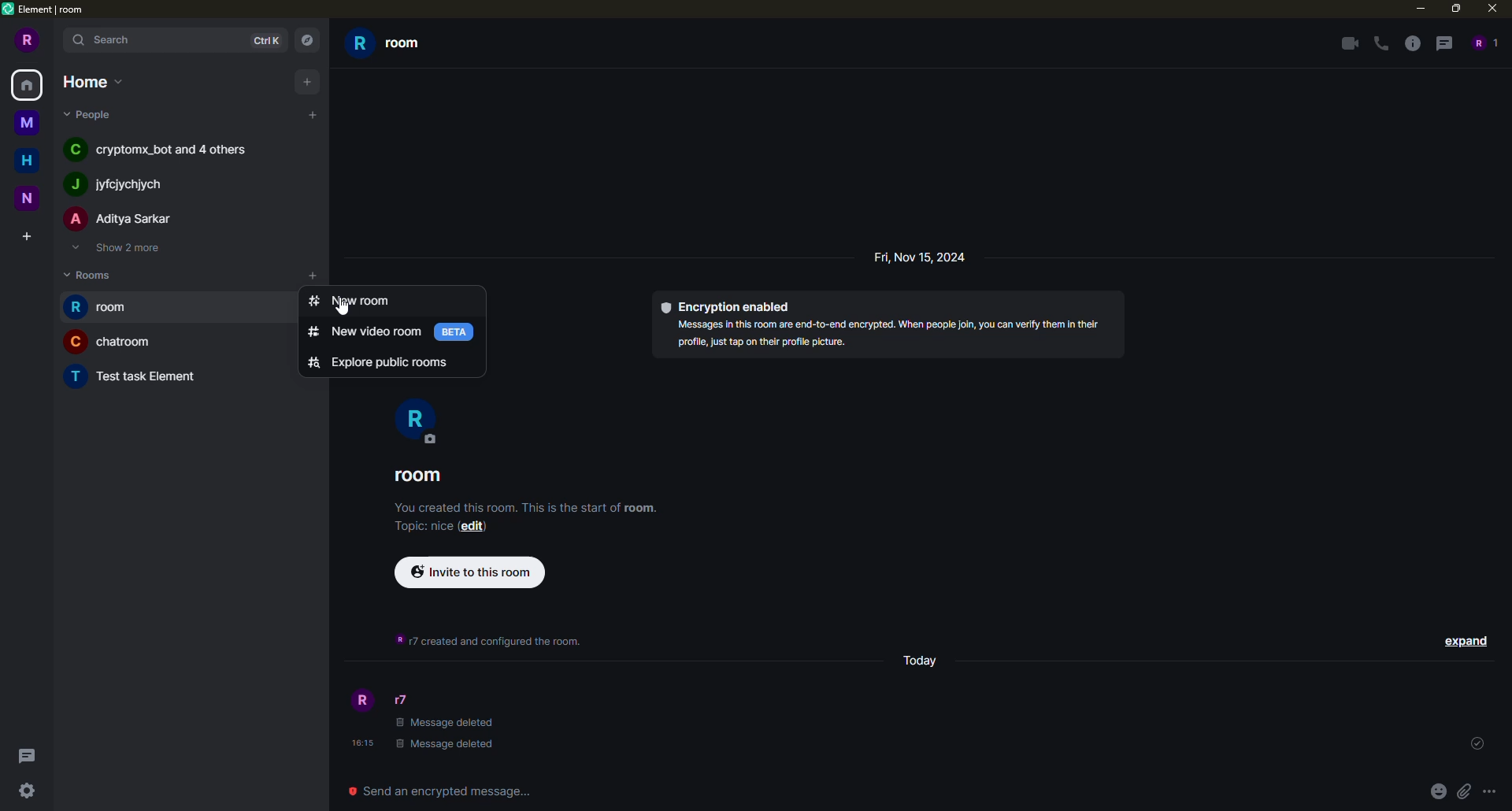 The height and width of the screenshot is (811, 1512). I want to click on people, so click(120, 218).